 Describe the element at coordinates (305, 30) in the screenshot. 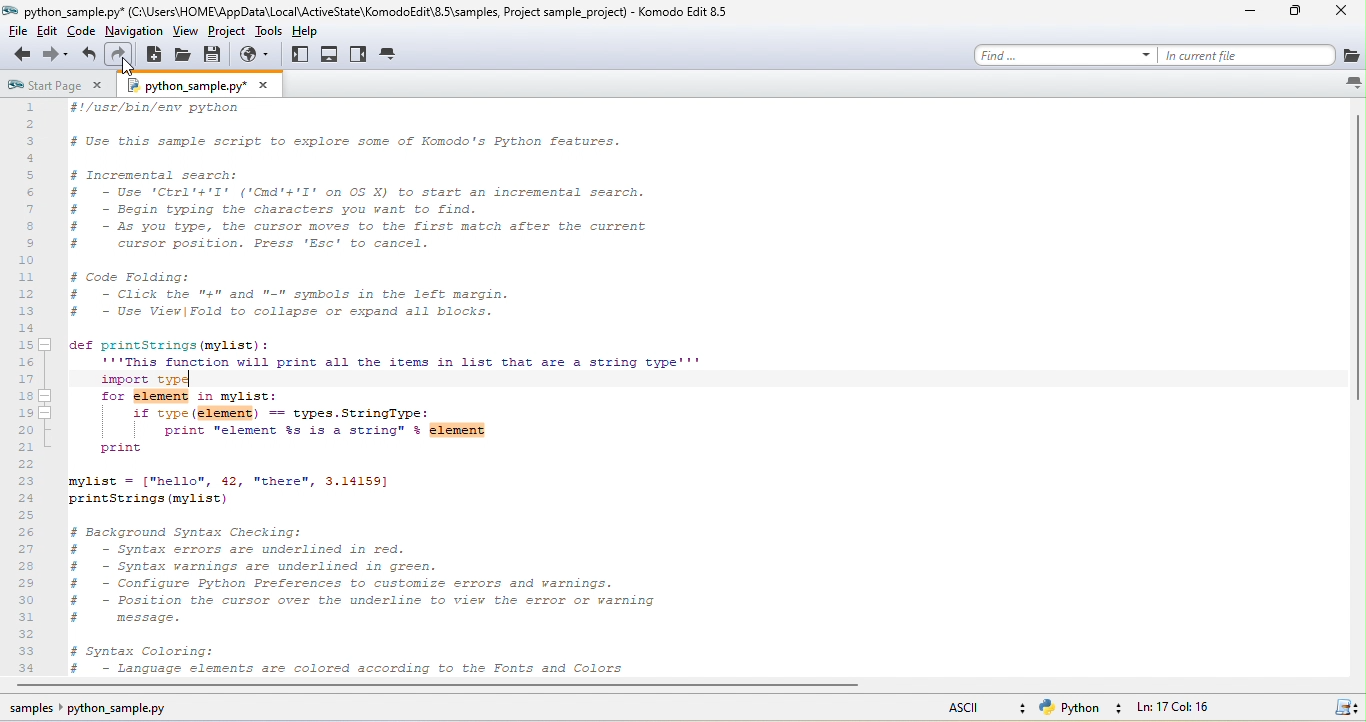

I see `help` at that location.